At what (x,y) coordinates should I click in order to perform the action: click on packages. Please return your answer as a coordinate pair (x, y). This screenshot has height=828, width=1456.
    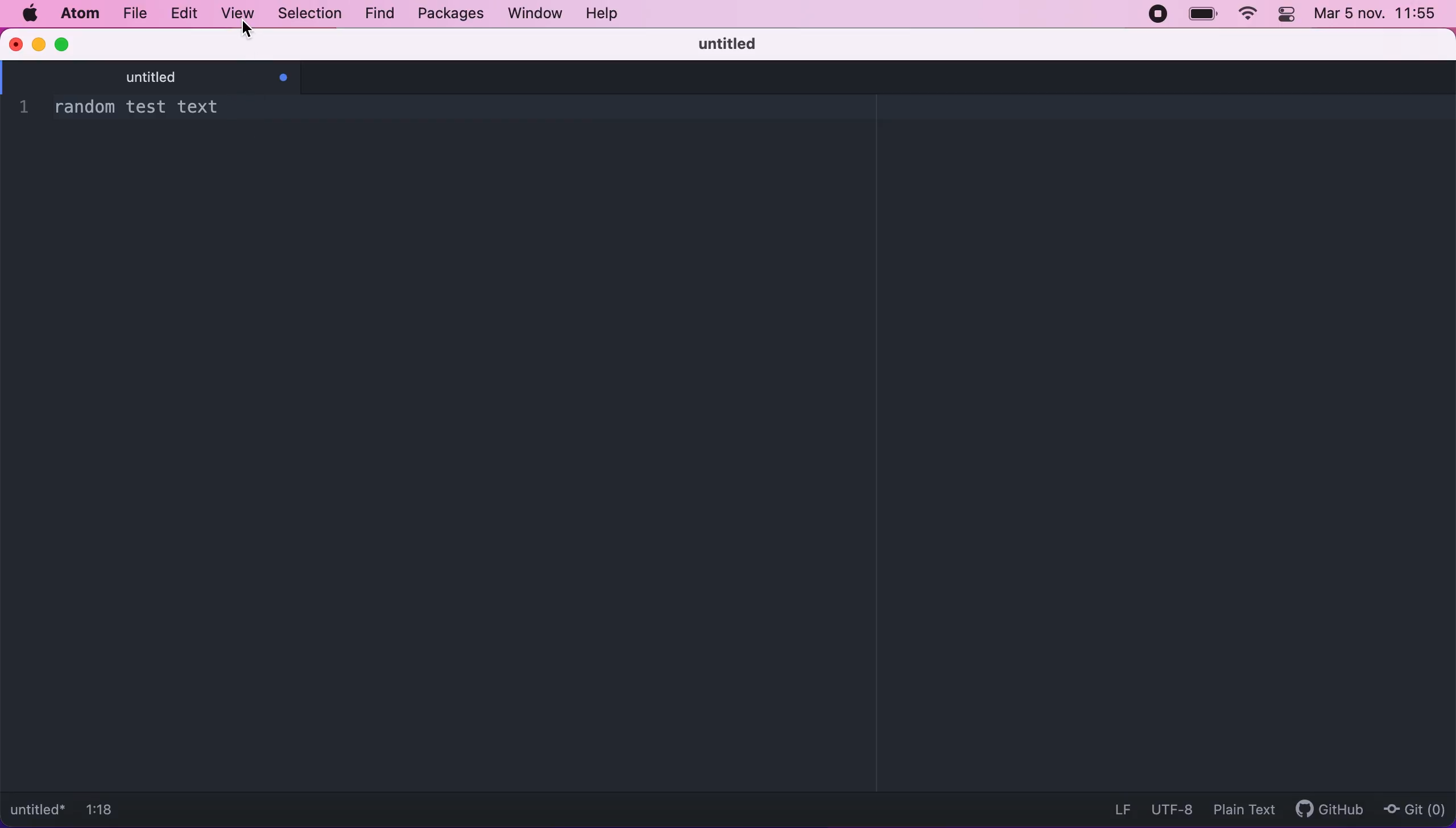
    Looking at the image, I should click on (449, 14).